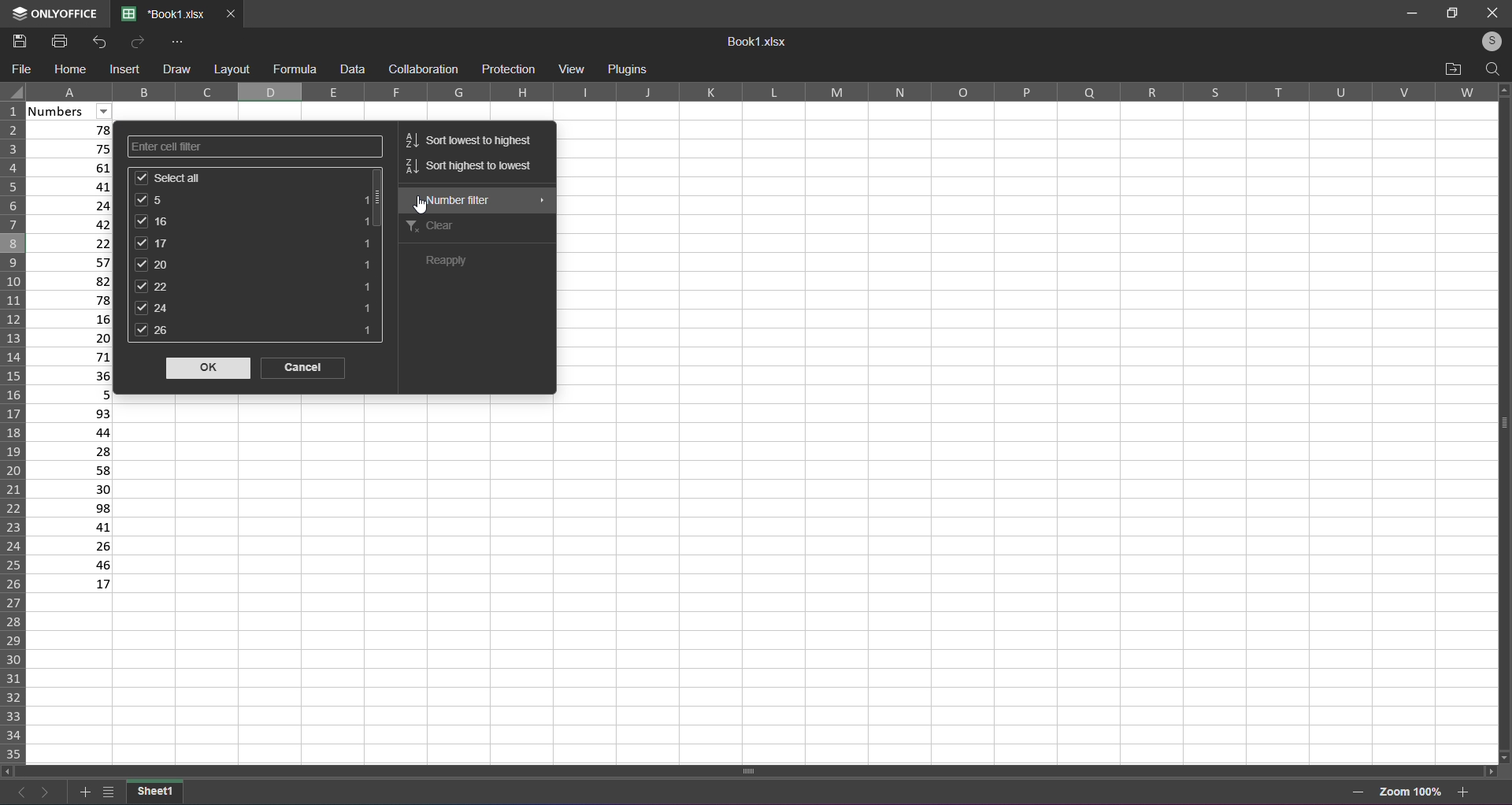 This screenshot has width=1512, height=805. What do you see at coordinates (255, 334) in the screenshot?
I see `26` at bounding box center [255, 334].